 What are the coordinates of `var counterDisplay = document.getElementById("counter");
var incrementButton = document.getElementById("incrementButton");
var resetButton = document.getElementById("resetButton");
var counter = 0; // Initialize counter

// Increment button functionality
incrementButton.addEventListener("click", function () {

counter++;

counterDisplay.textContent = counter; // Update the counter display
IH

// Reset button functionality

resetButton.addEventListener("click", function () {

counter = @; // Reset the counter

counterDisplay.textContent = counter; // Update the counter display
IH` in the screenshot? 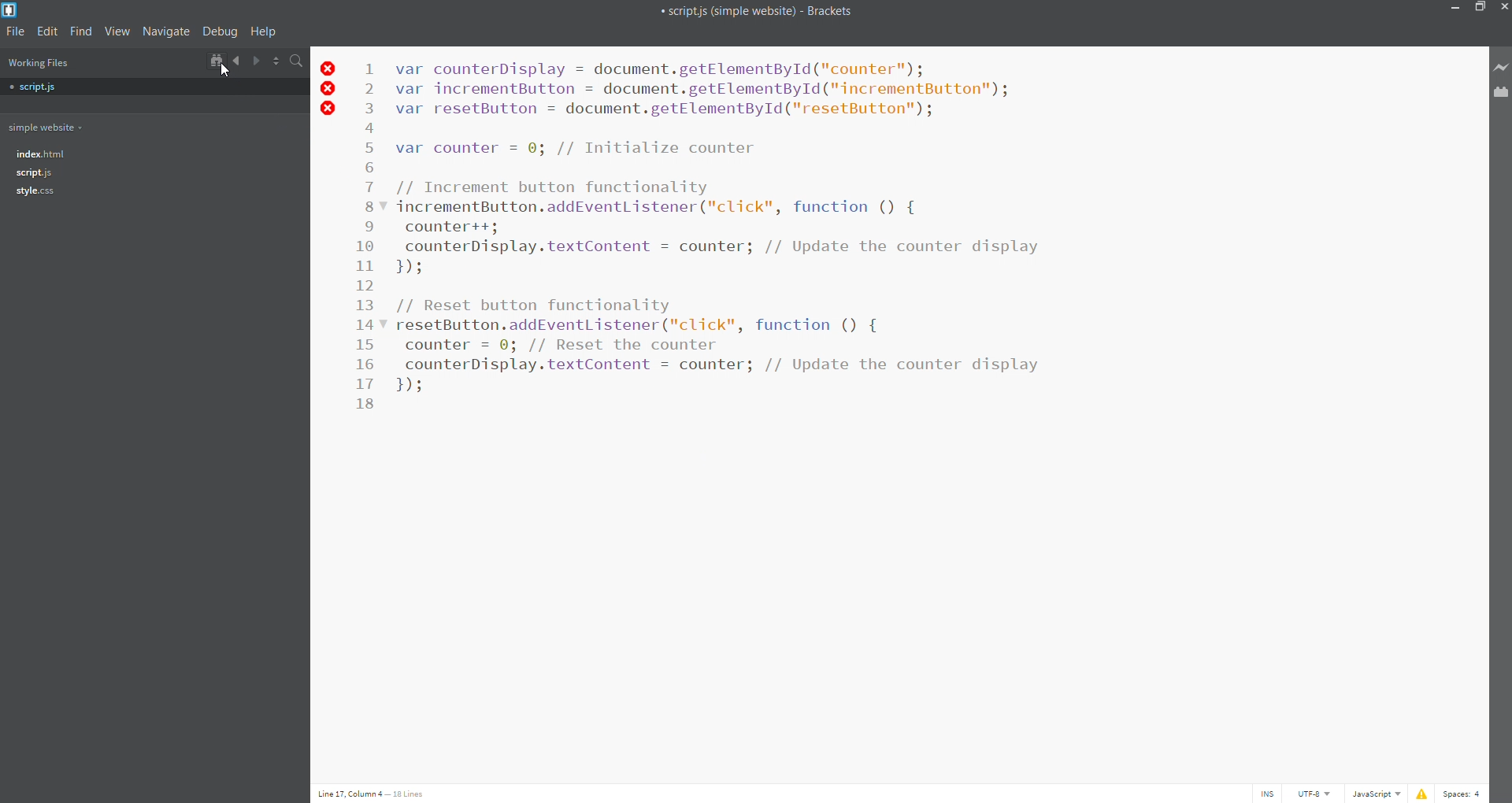 It's located at (728, 232).